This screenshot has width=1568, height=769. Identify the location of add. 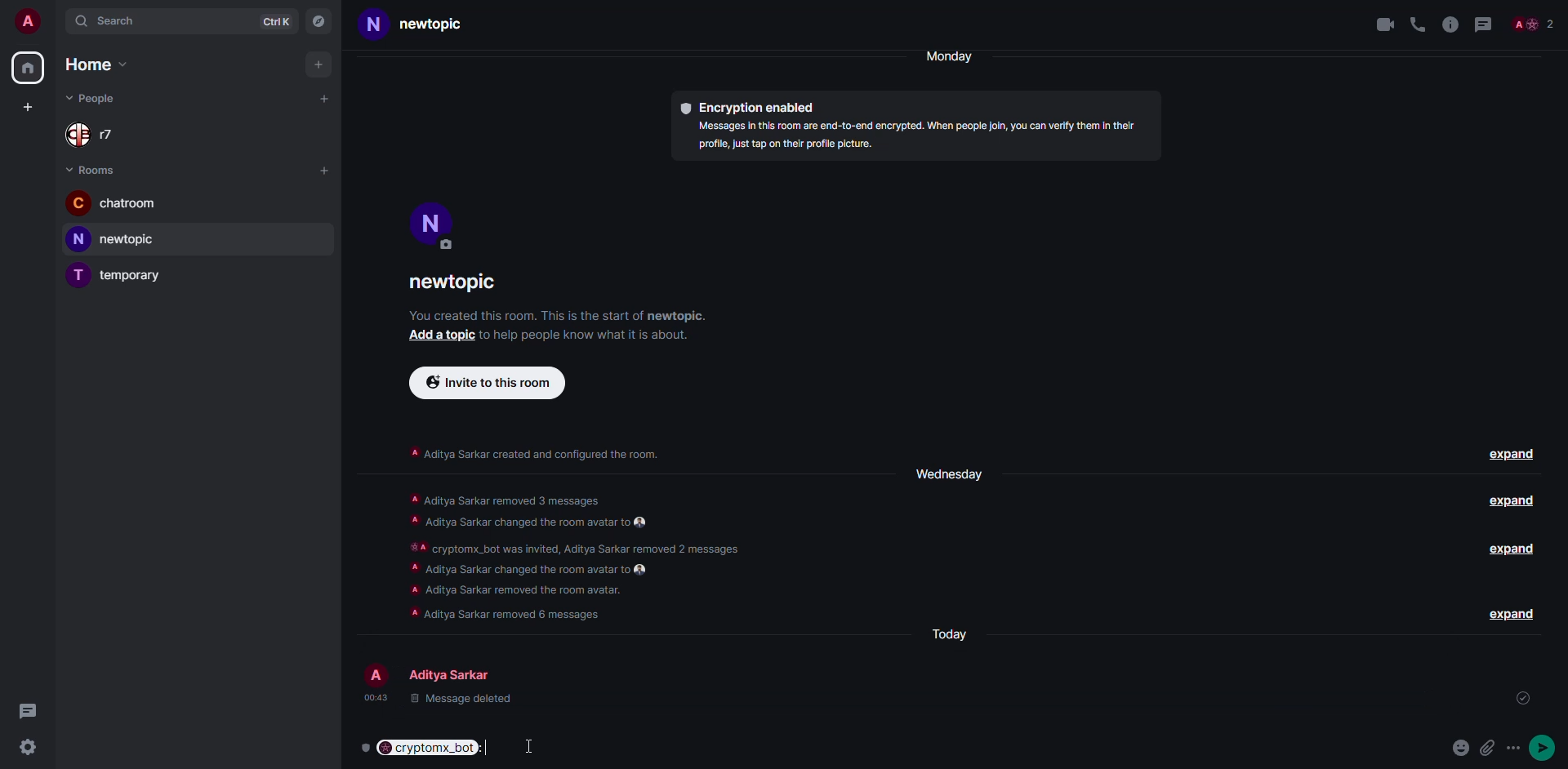
(324, 169).